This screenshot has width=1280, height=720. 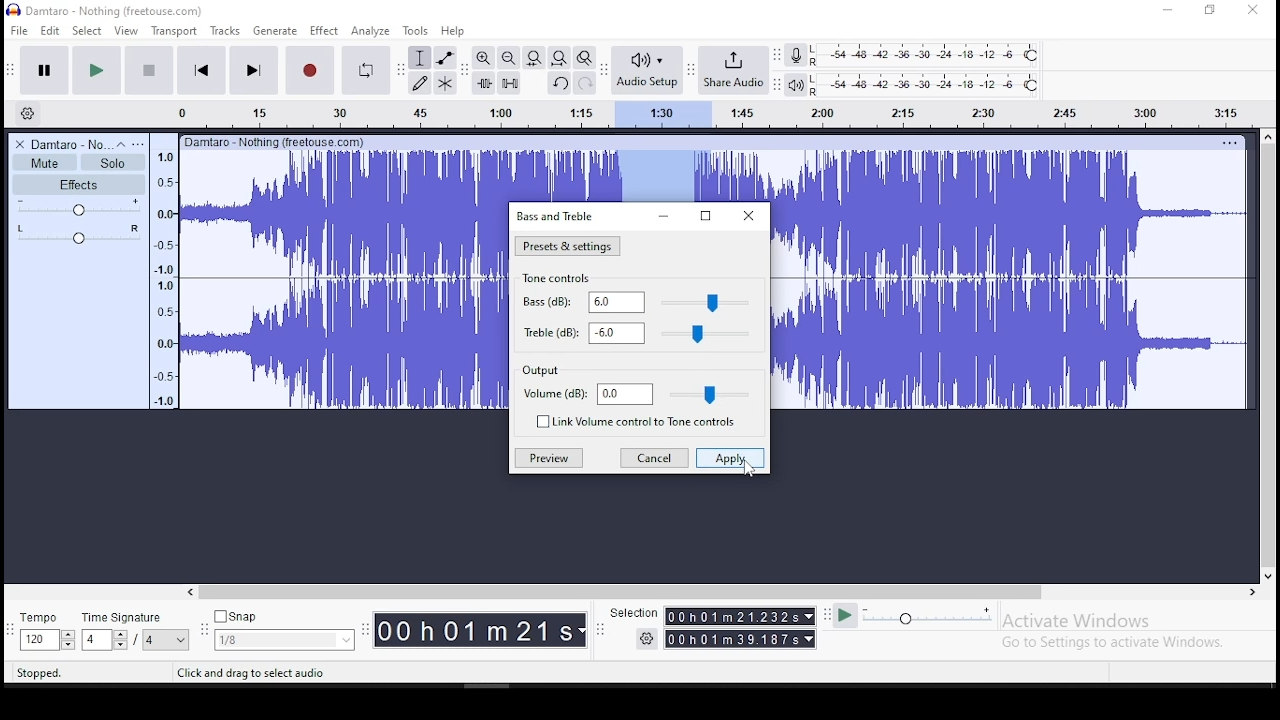 What do you see at coordinates (269, 640) in the screenshot?
I see `1/8` at bounding box center [269, 640].